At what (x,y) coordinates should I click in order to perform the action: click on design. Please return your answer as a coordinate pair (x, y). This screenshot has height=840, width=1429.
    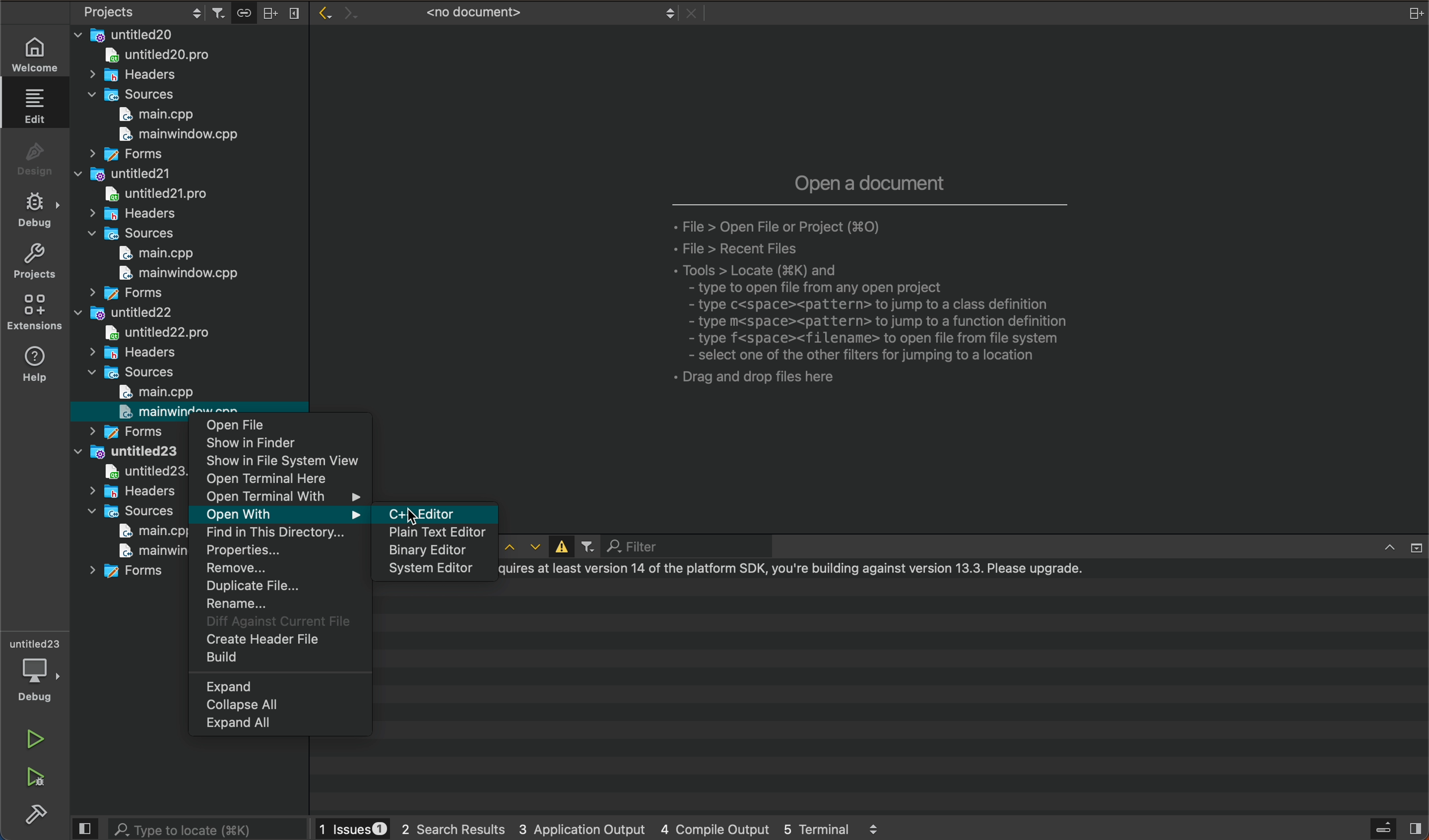
    Looking at the image, I should click on (35, 159).